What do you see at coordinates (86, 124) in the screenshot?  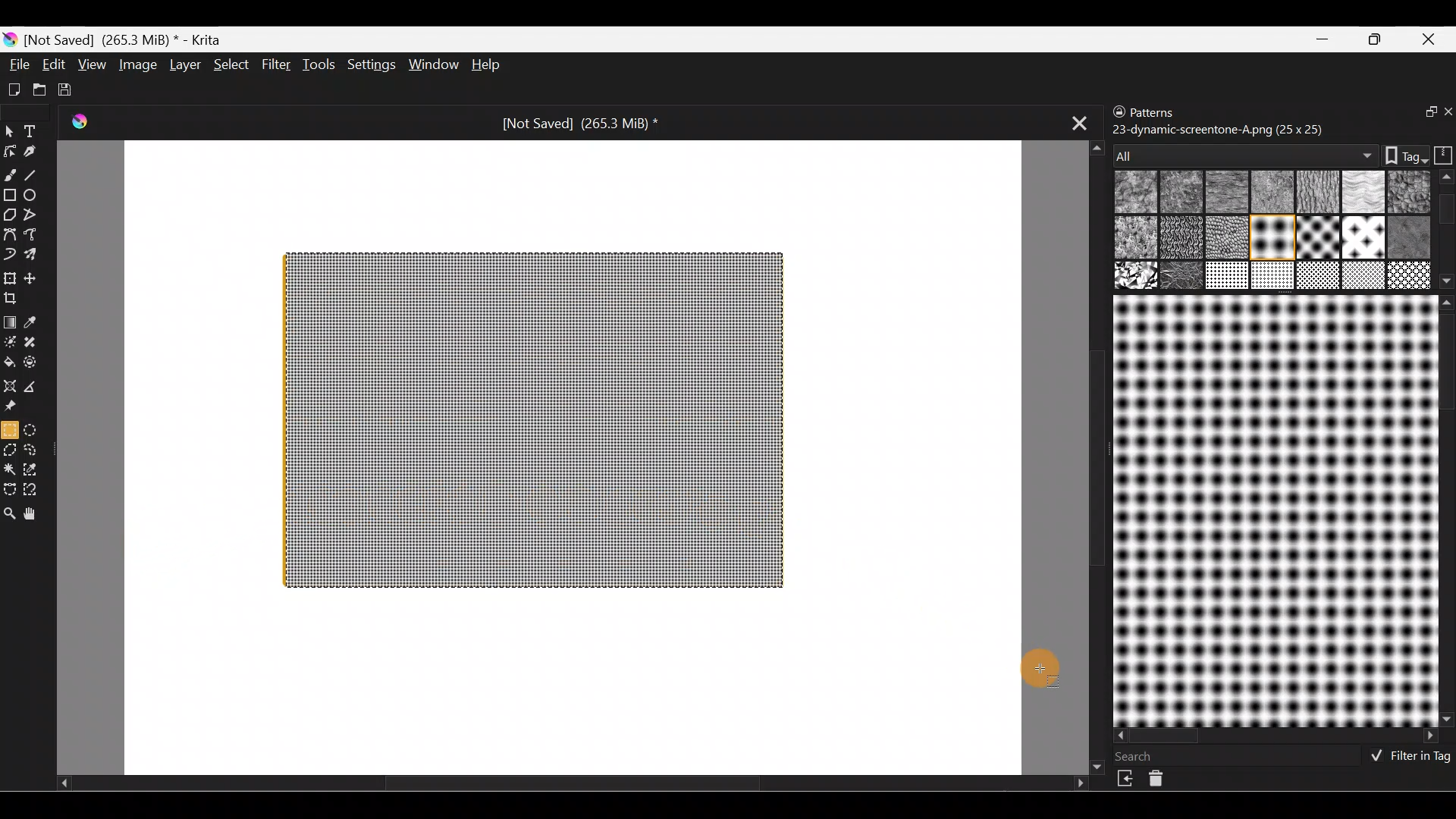 I see `Krita Logo` at bounding box center [86, 124].